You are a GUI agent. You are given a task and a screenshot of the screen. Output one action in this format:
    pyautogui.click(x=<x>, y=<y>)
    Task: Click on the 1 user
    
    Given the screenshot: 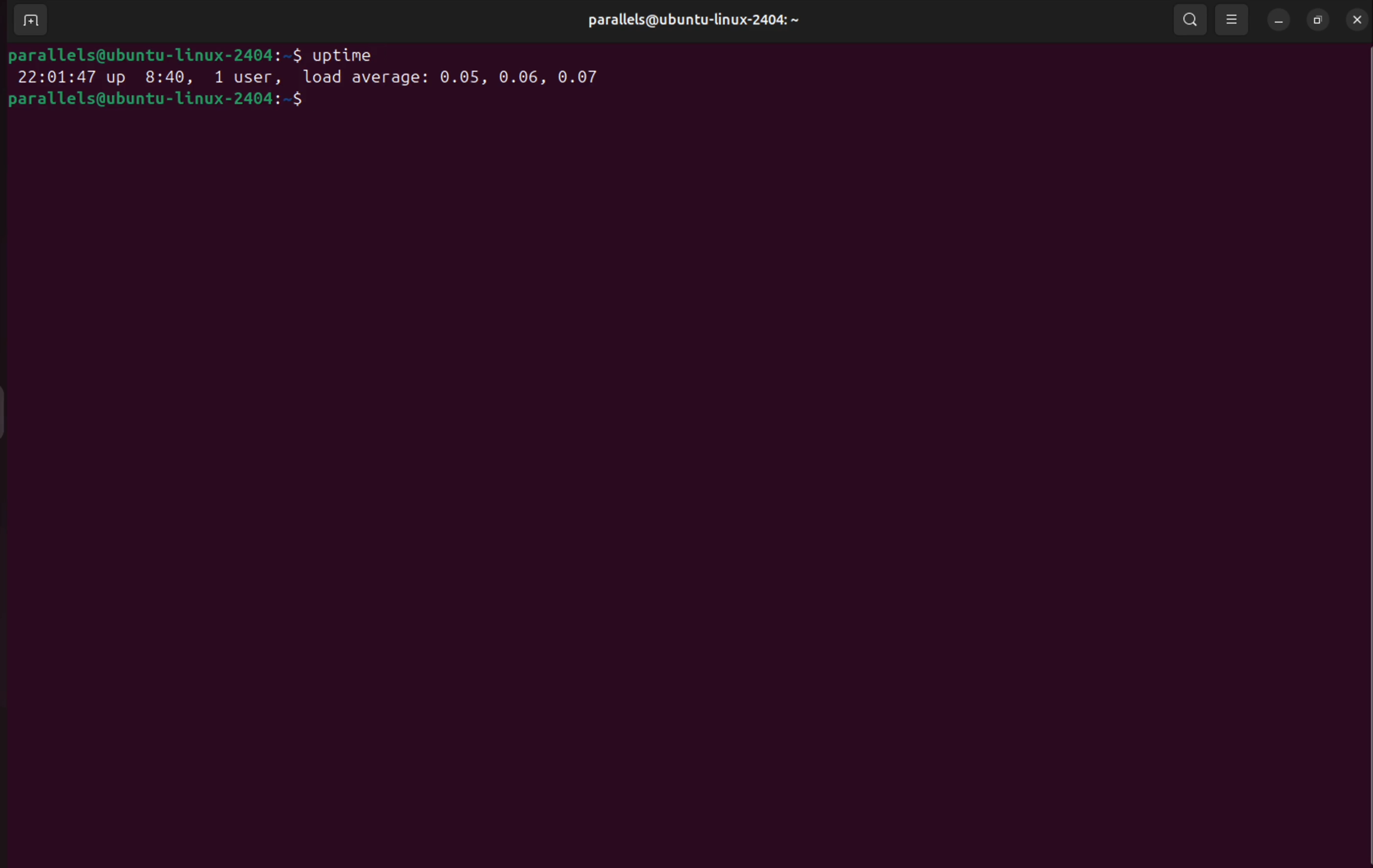 What is the action you would take?
    pyautogui.click(x=246, y=76)
    